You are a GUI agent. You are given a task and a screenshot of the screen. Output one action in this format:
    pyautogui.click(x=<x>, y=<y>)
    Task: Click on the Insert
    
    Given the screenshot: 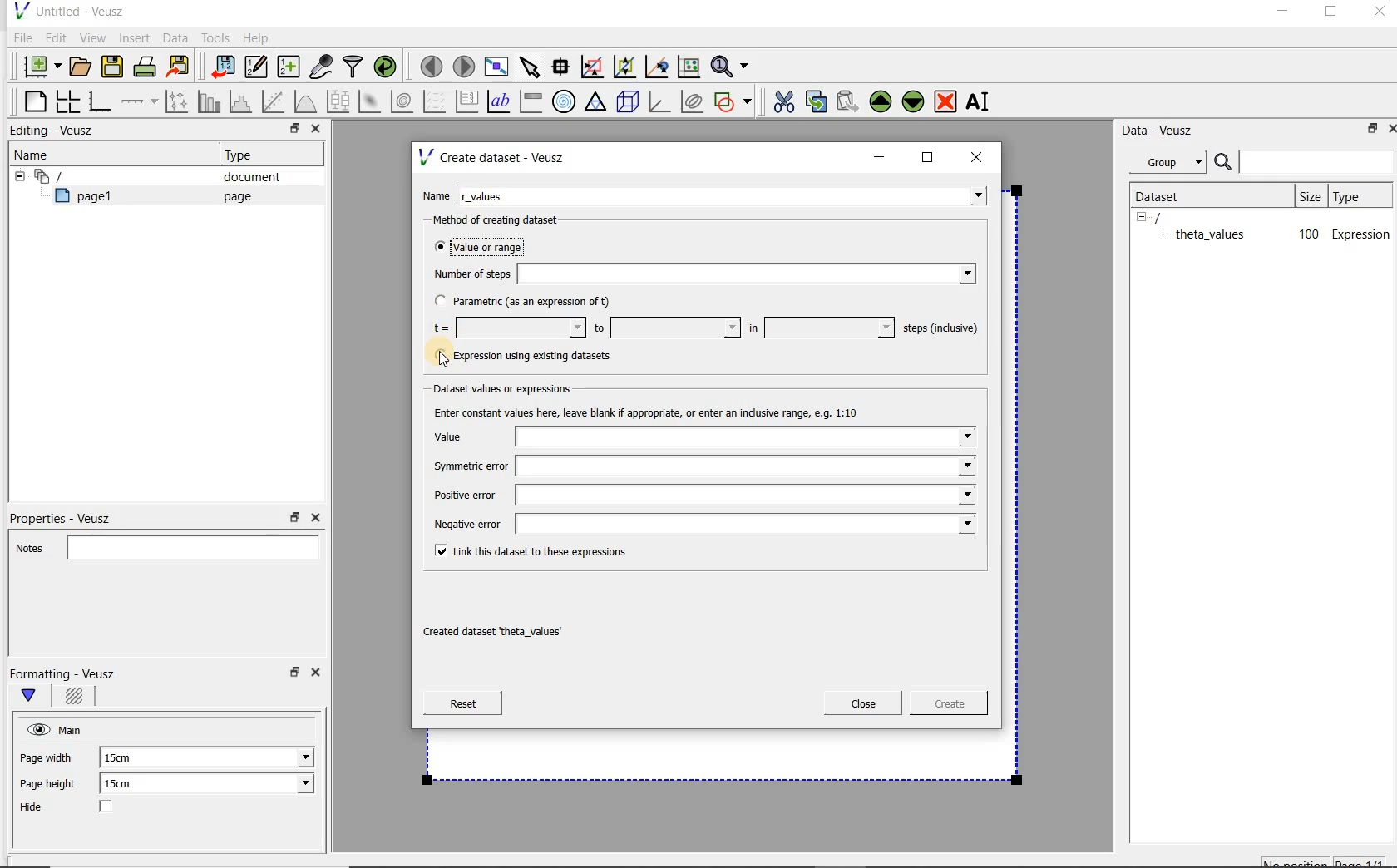 What is the action you would take?
    pyautogui.click(x=136, y=37)
    